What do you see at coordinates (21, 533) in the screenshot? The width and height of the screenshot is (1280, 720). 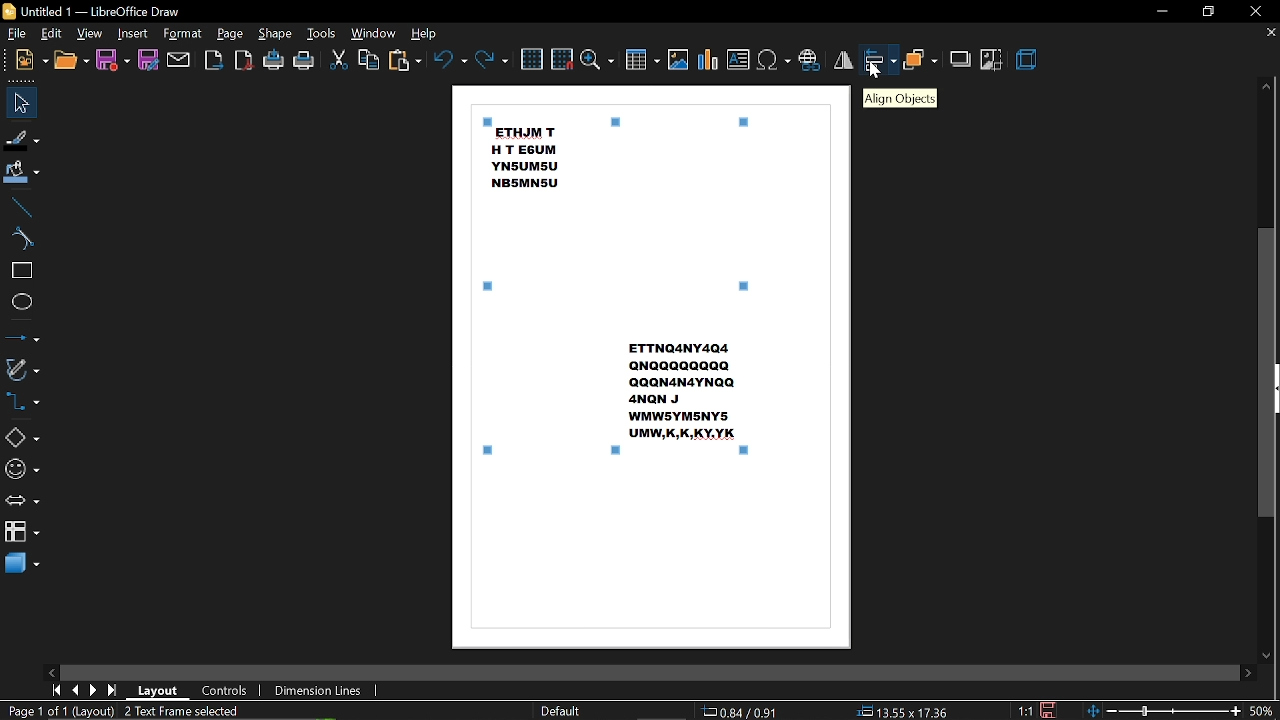 I see `flowchart` at bounding box center [21, 533].